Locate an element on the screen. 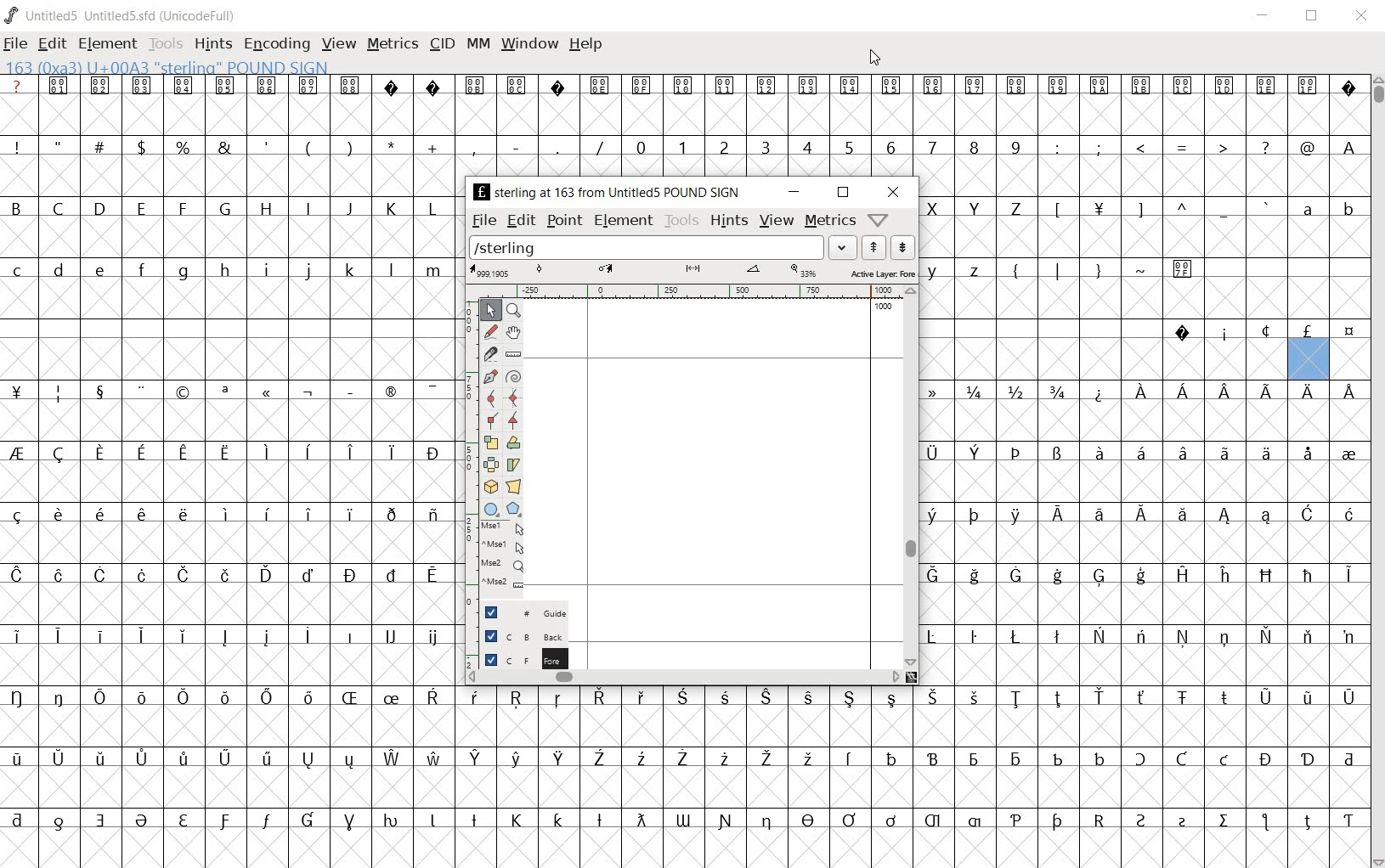  Symbol is located at coordinates (1098, 516).